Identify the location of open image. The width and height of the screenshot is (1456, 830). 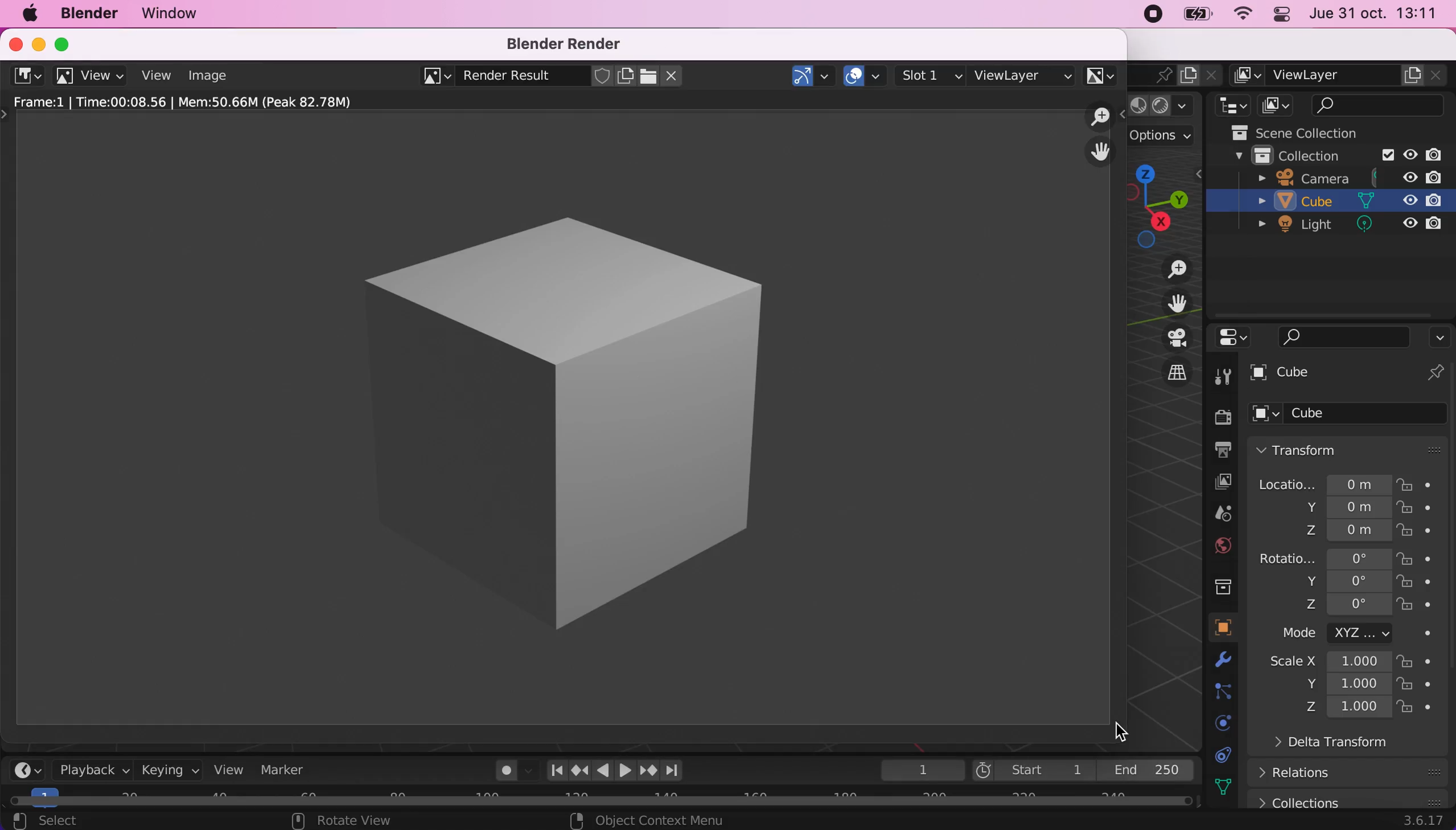
(647, 76).